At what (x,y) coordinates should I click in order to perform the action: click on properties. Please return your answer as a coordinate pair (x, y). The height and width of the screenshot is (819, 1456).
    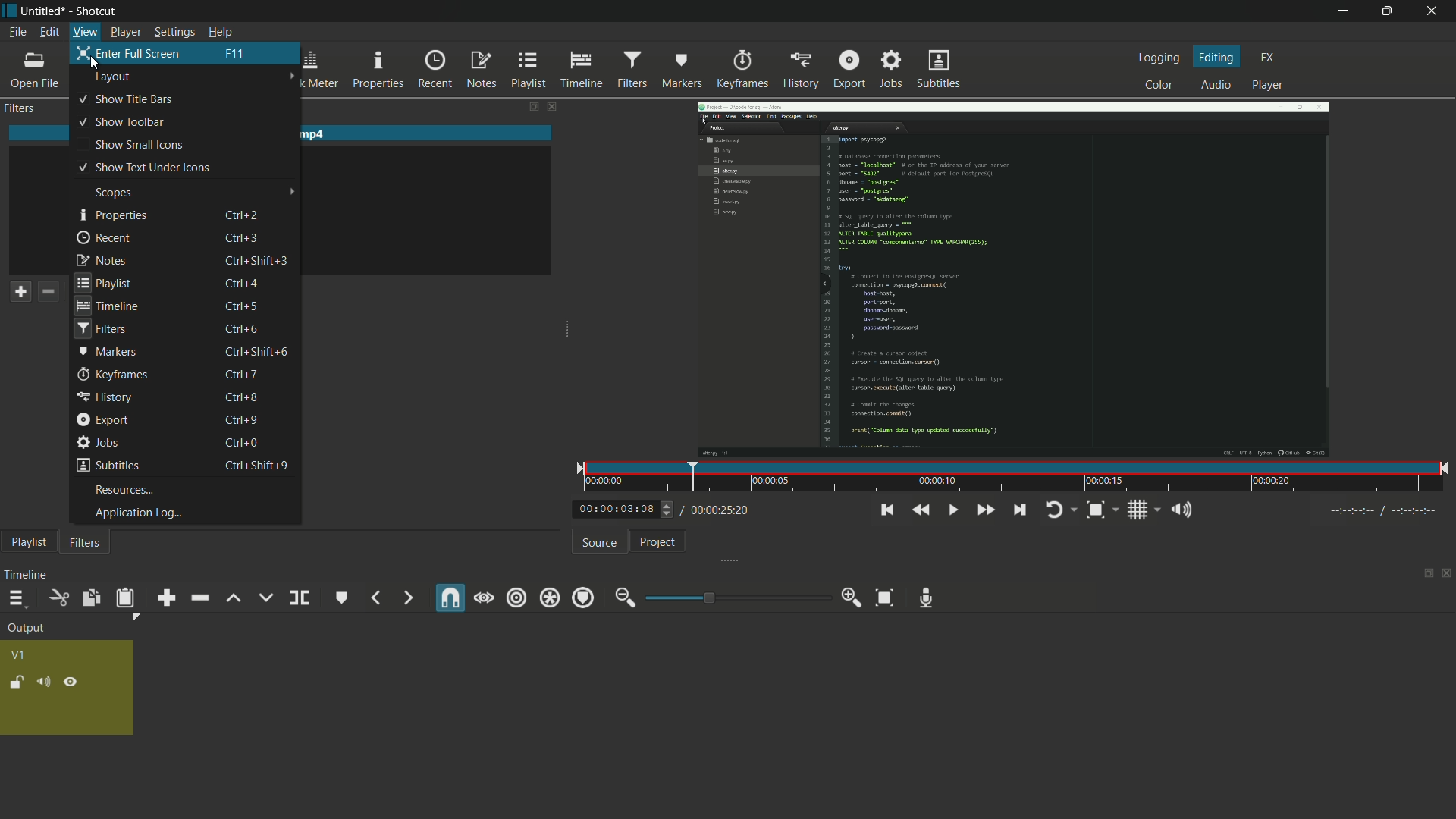
    Looking at the image, I should click on (112, 216).